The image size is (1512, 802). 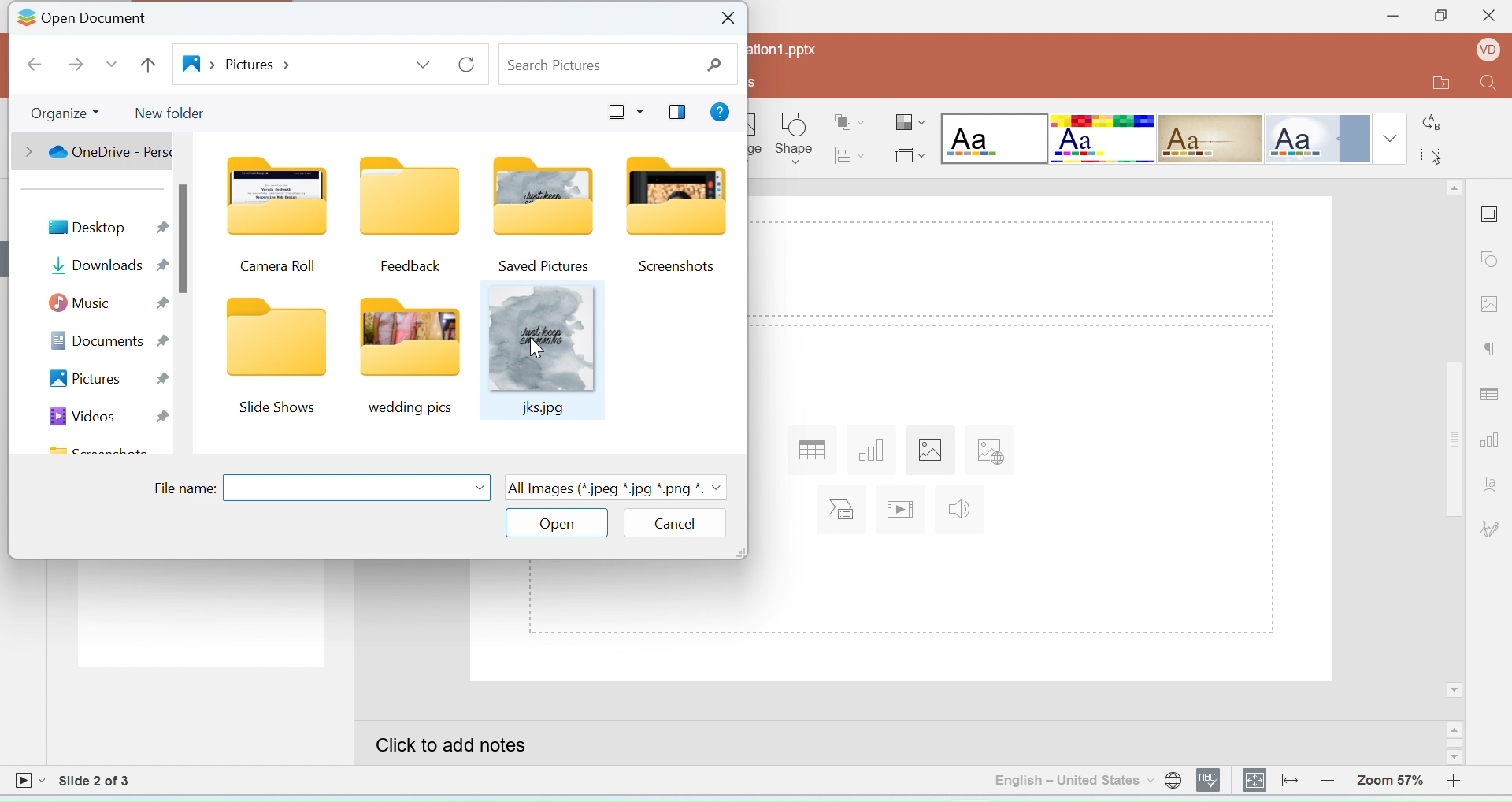 I want to click on file name bar, so click(x=358, y=488).